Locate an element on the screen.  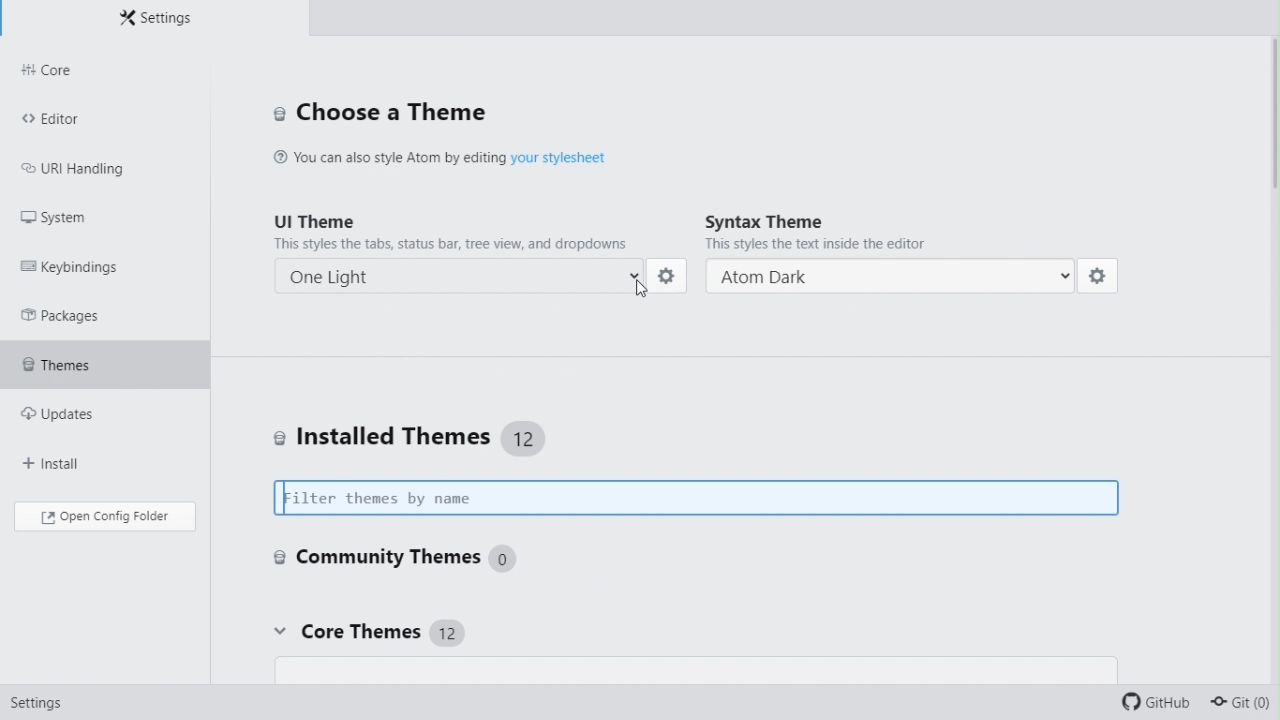
Updates is located at coordinates (78, 419).